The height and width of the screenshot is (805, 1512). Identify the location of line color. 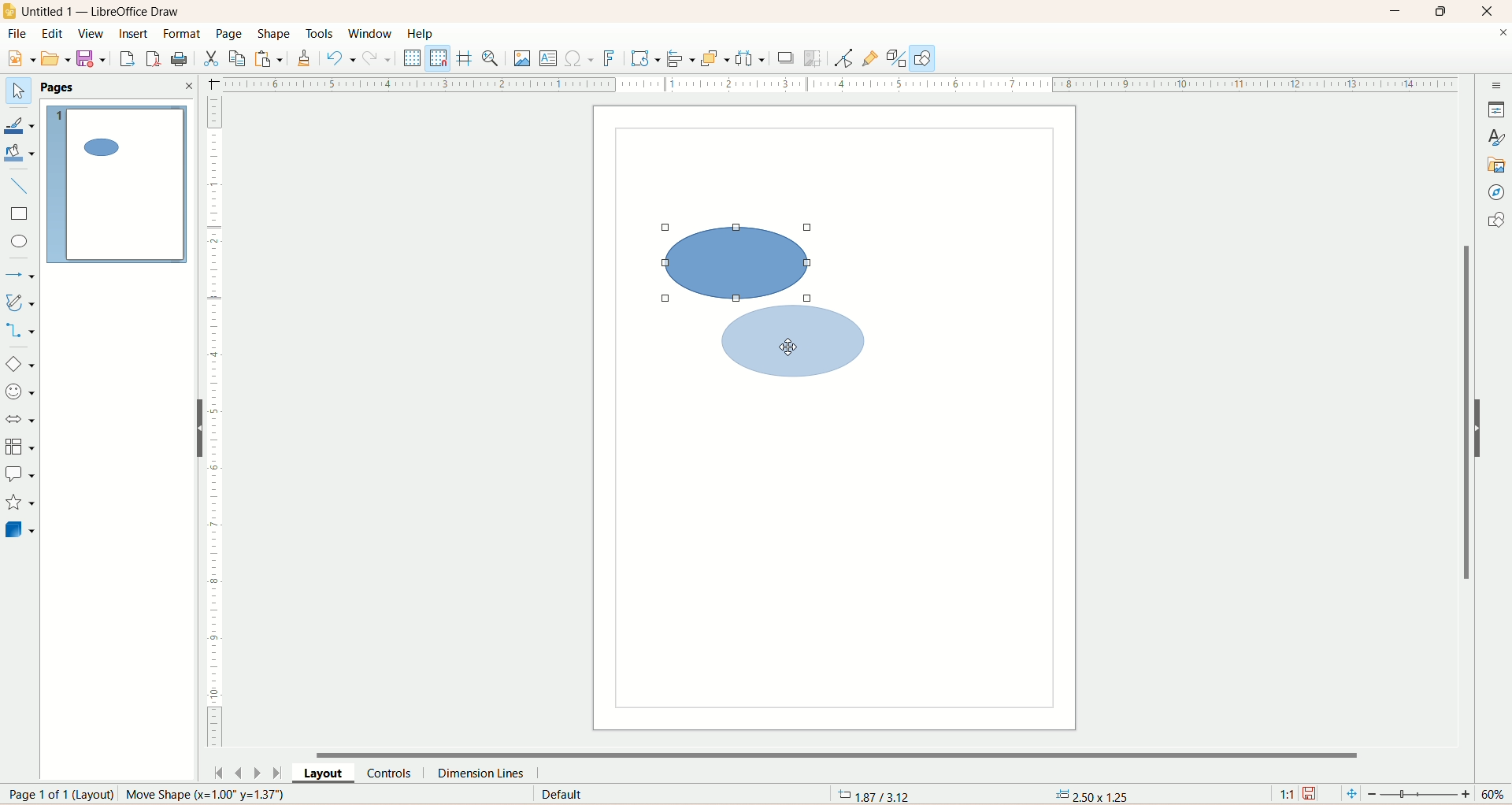
(21, 122).